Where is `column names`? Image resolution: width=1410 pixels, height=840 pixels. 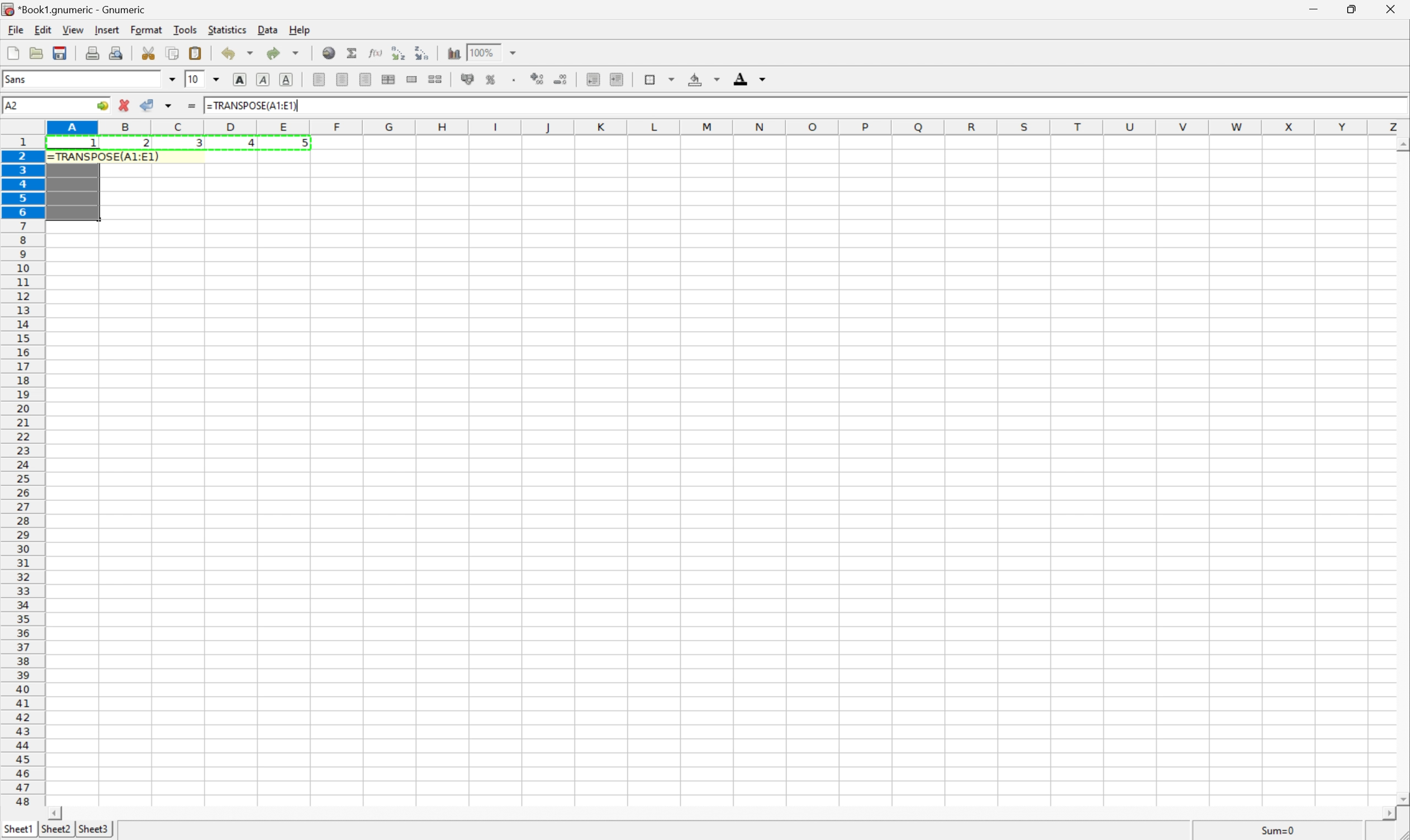
column names is located at coordinates (724, 128).